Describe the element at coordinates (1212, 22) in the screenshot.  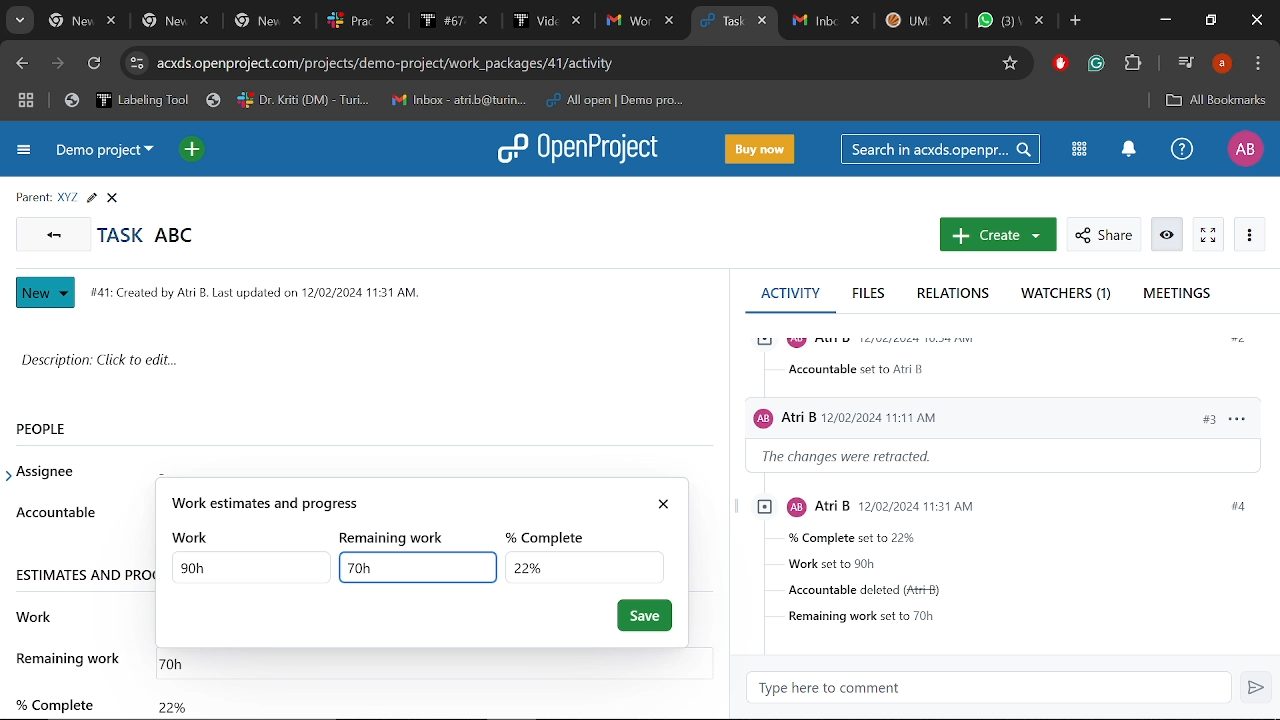
I see `Restore down` at that location.